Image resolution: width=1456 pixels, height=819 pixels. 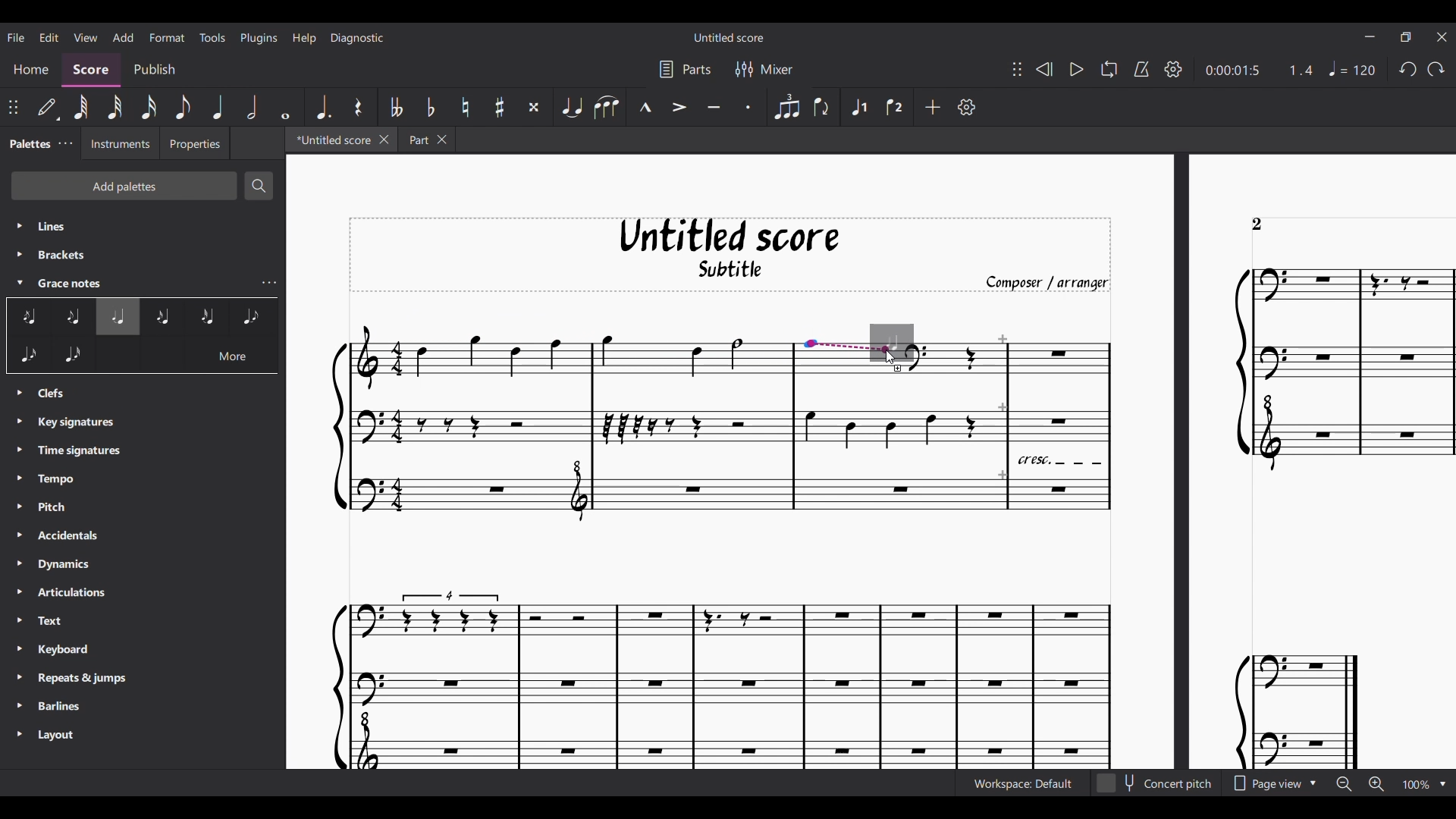 What do you see at coordinates (90, 71) in the screenshot?
I see `Score, current section highlighted` at bounding box center [90, 71].